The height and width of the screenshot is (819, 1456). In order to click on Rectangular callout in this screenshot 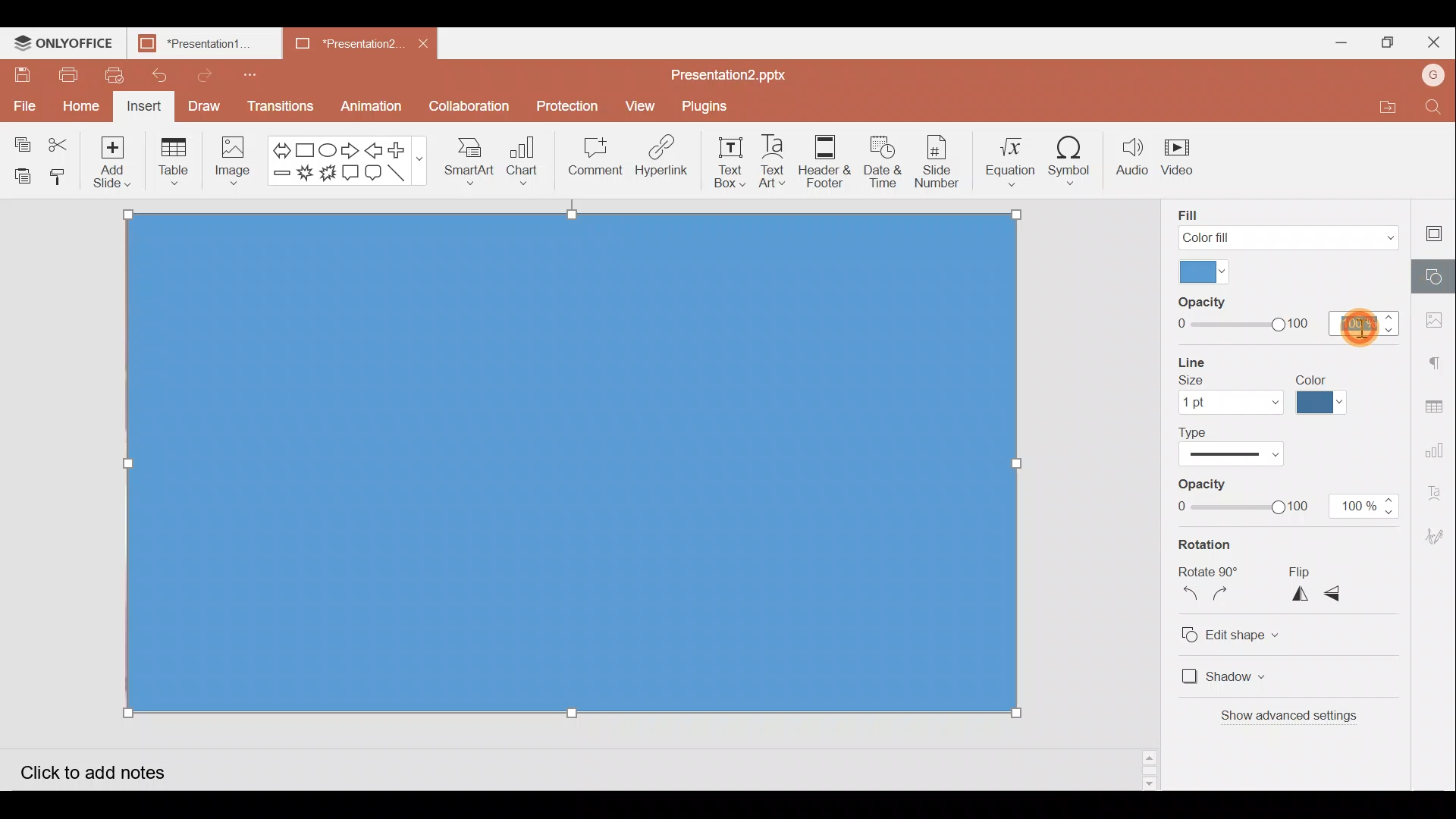, I will do `click(352, 173)`.